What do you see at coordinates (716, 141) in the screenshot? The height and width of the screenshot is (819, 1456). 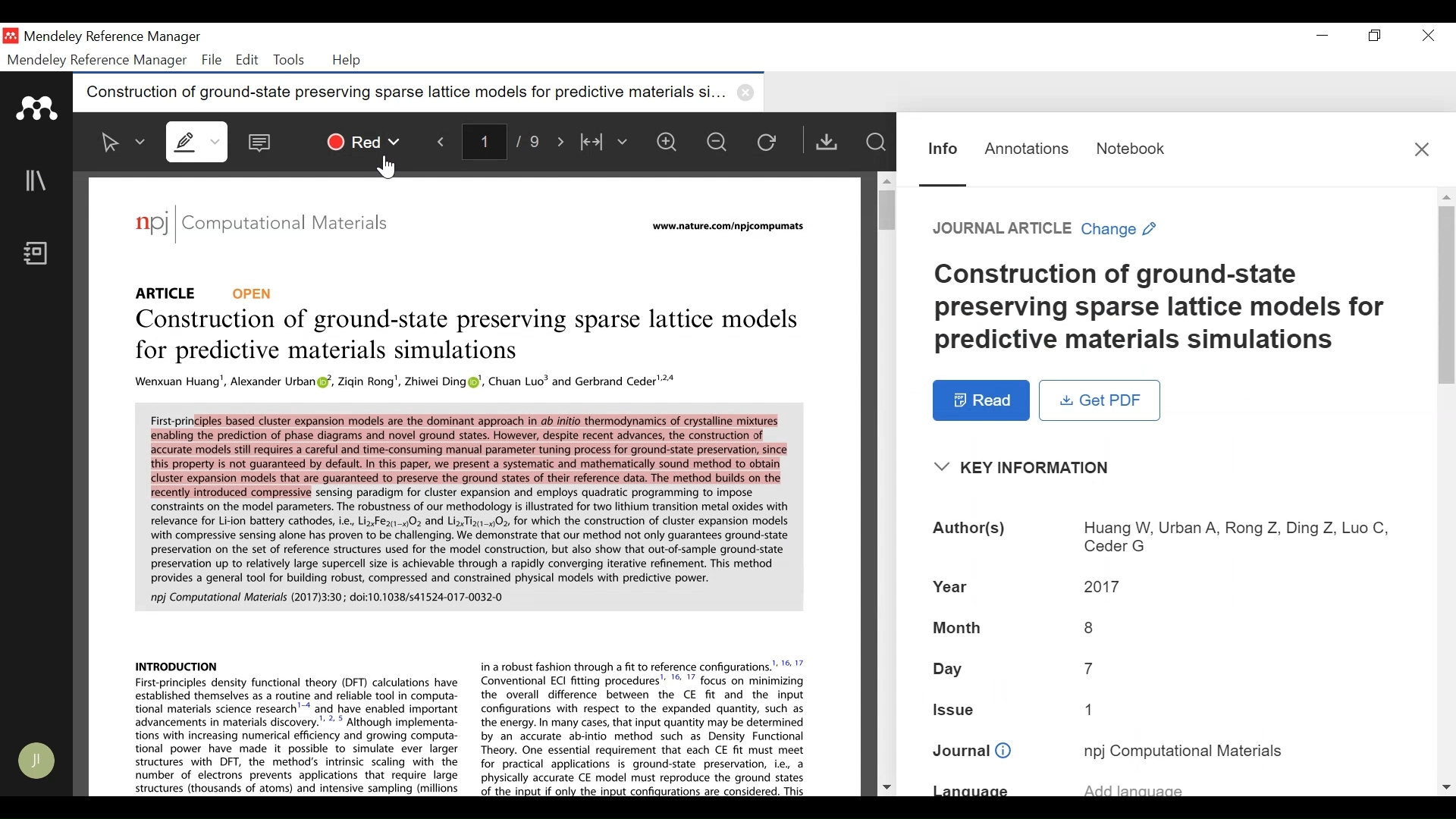 I see `Zoom out` at bounding box center [716, 141].